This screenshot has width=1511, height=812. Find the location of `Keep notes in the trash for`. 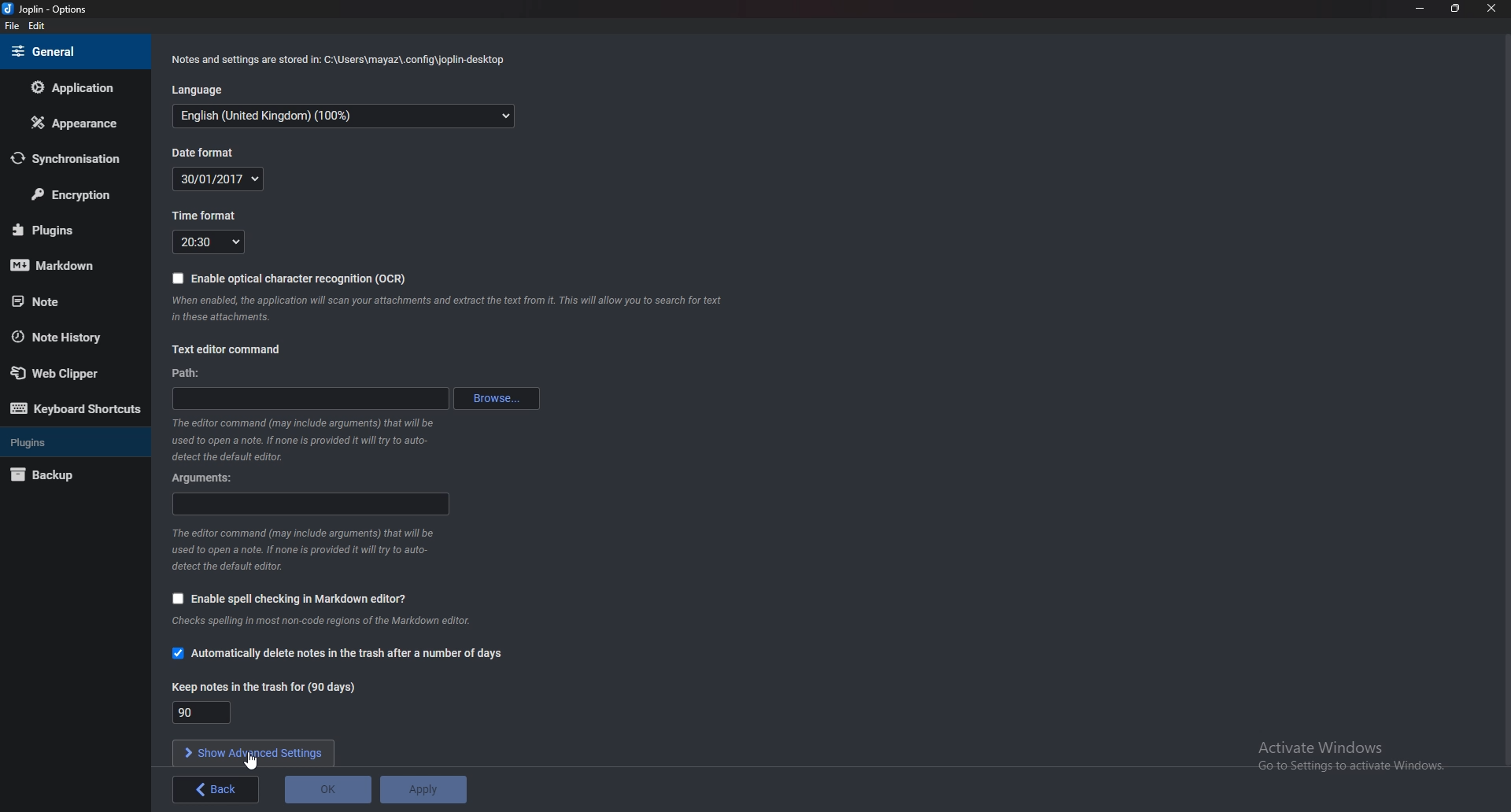

Keep notes in the trash for is located at coordinates (201, 712).